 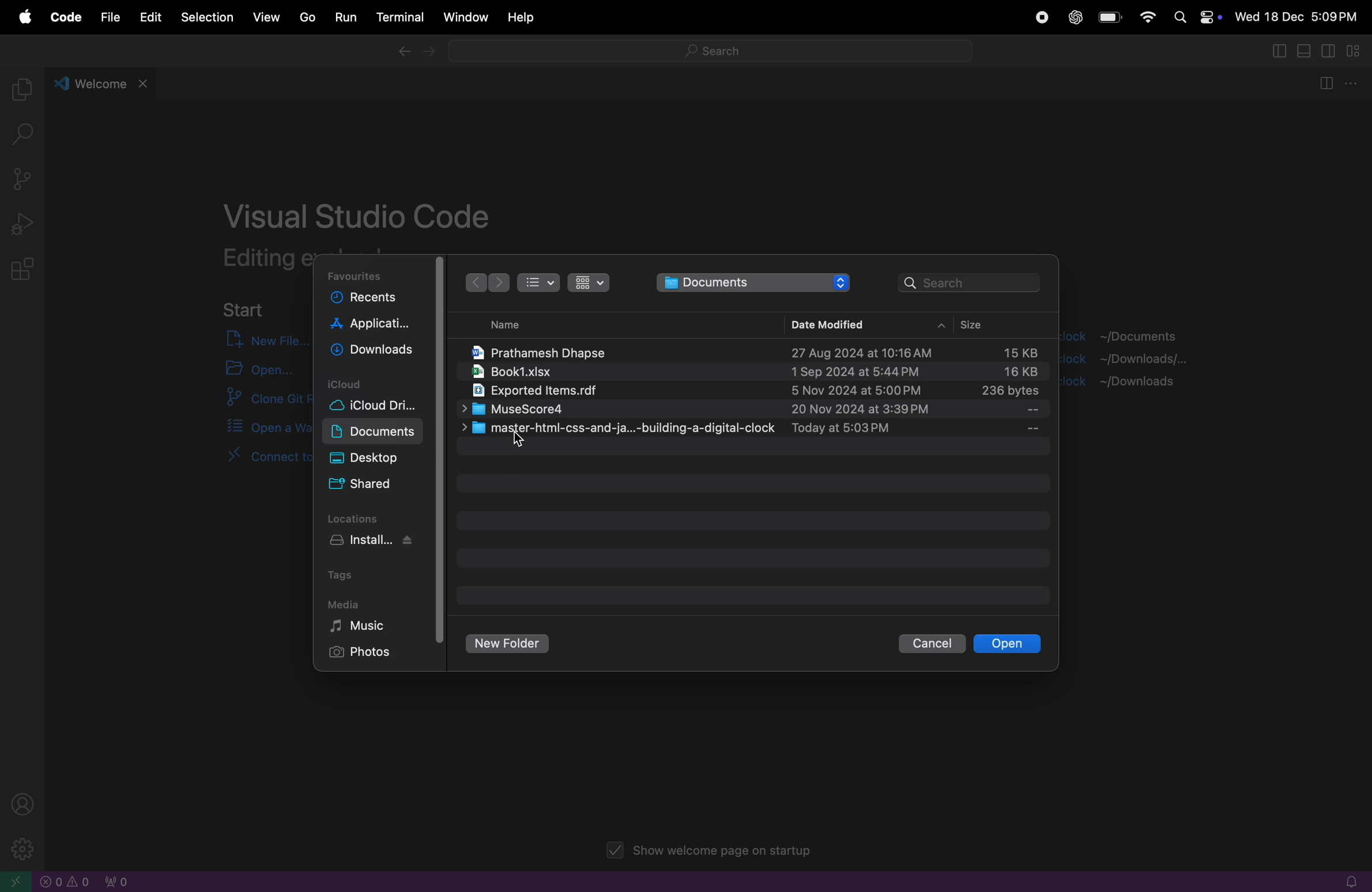 What do you see at coordinates (1297, 18) in the screenshot?
I see `date and time` at bounding box center [1297, 18].